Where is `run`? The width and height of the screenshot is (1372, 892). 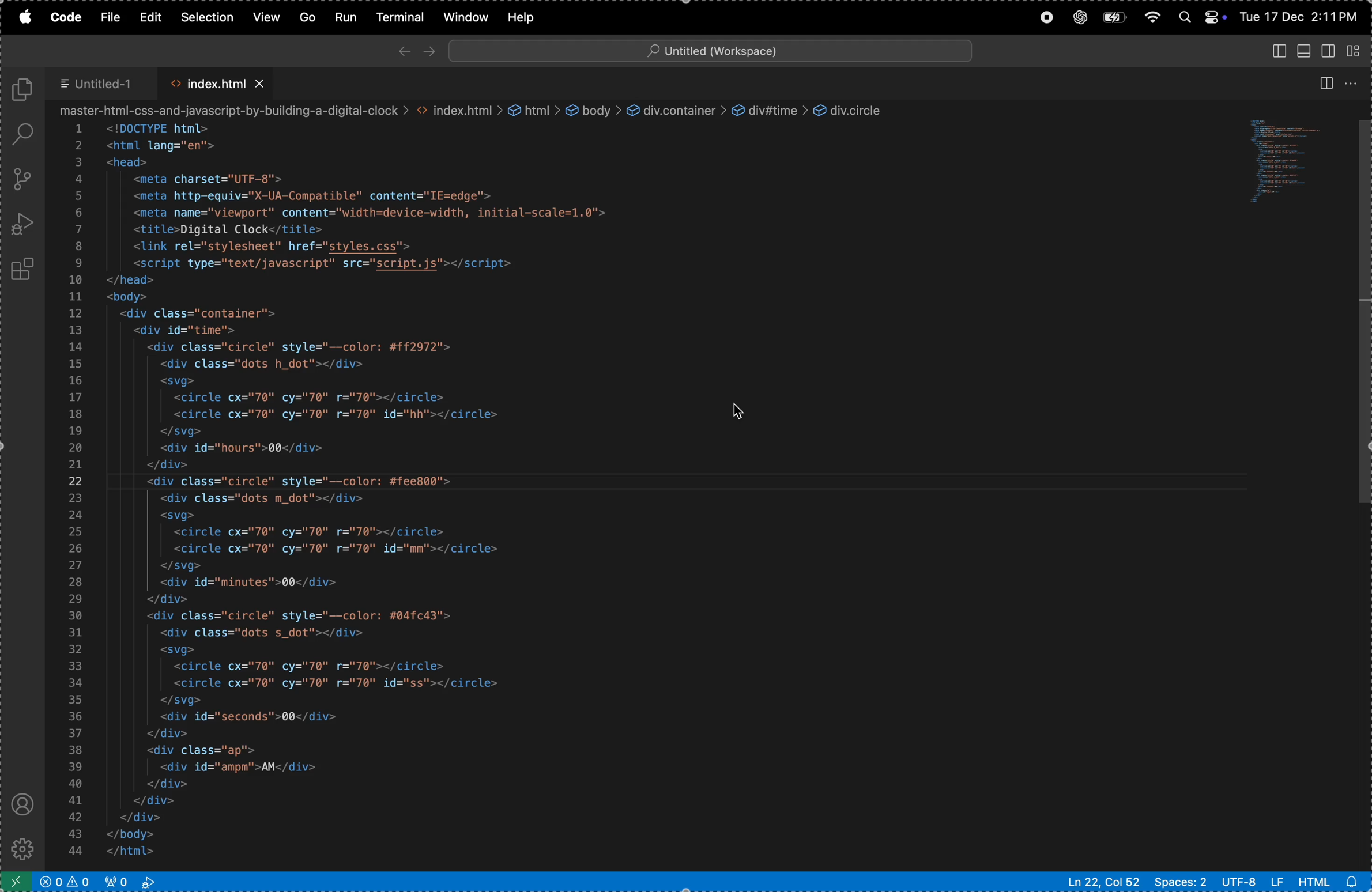
run is located at coordinates (346, 17).